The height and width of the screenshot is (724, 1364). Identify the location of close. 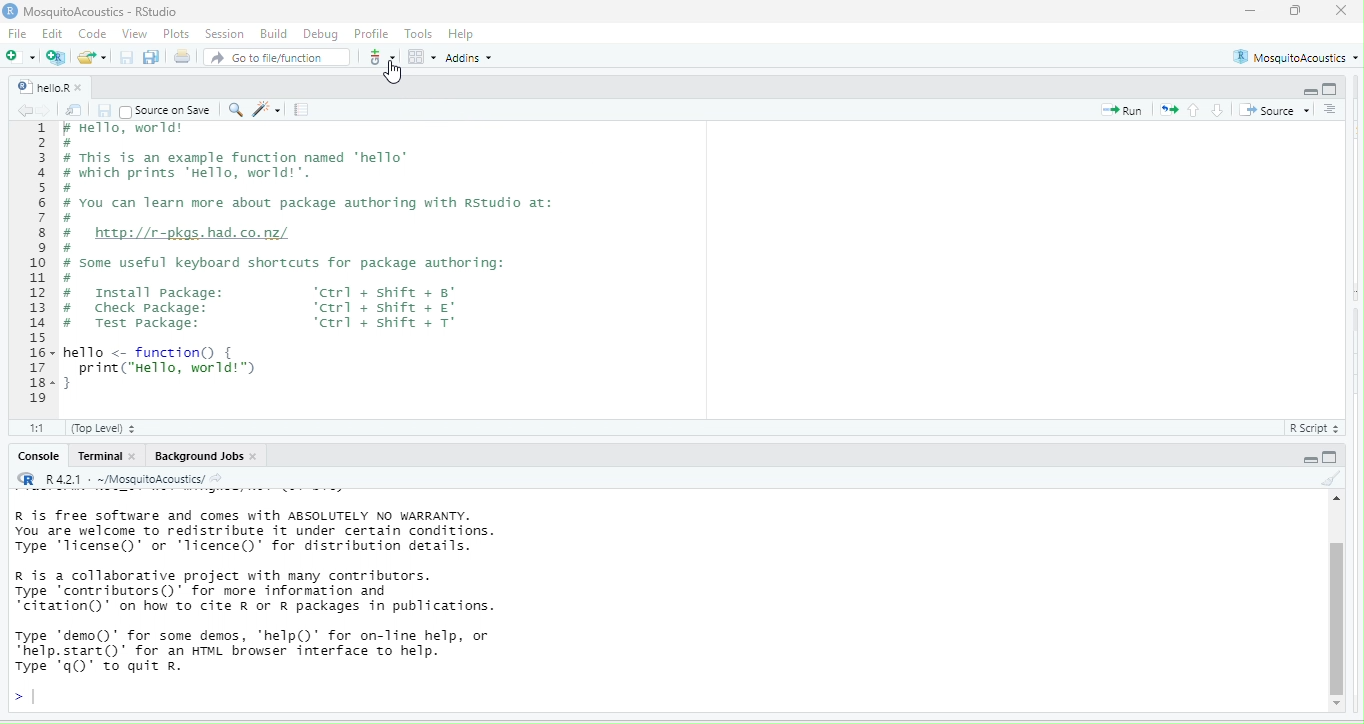
(84, 88).